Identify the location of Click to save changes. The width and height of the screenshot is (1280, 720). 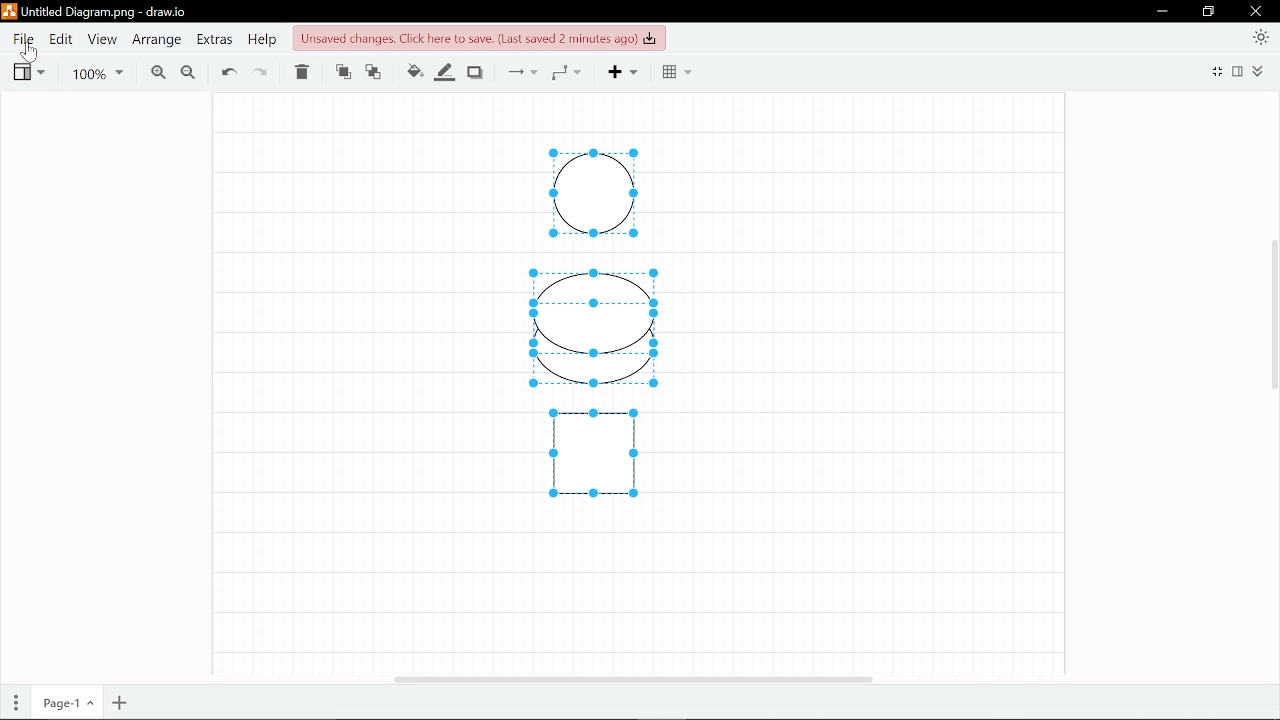
(479, 38).